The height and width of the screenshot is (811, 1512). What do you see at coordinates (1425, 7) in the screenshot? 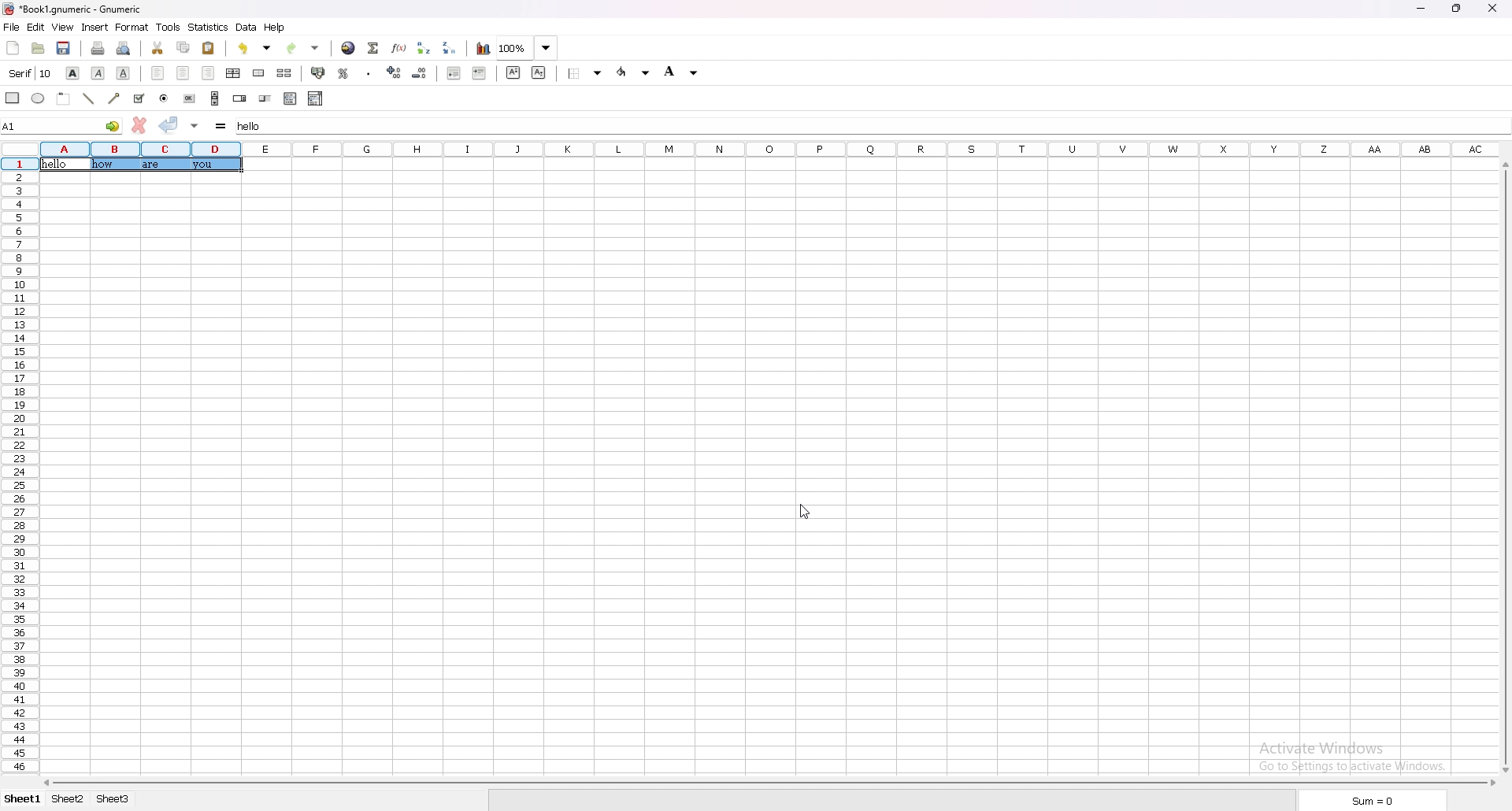
I see `minimize` at bounding box center [1425, 7].